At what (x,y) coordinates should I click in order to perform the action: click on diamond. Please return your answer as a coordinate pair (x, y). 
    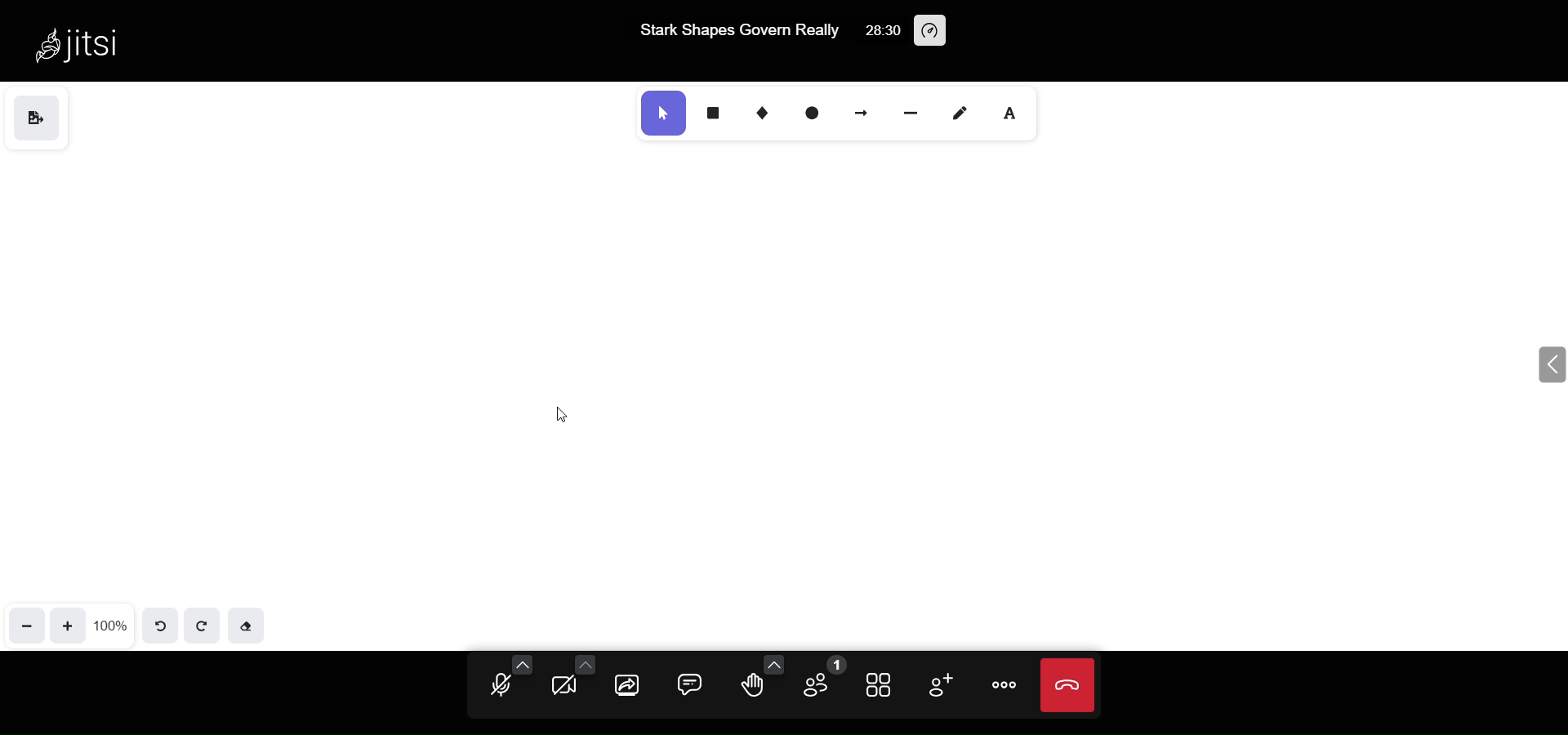
    Looking at the image, I should click on (761, 110).